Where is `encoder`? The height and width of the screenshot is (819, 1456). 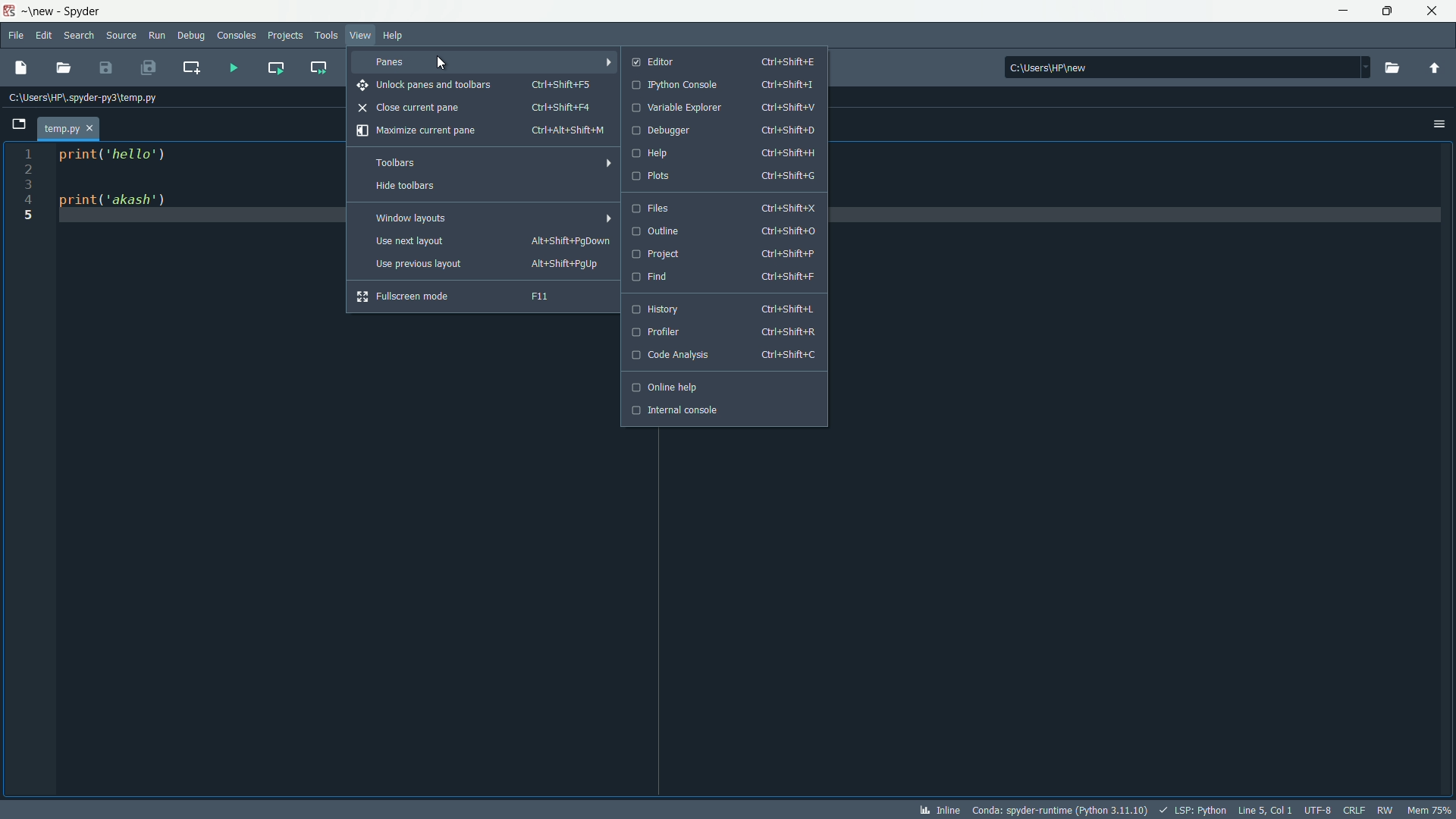
encoder is located at coordinates (1319, 810).